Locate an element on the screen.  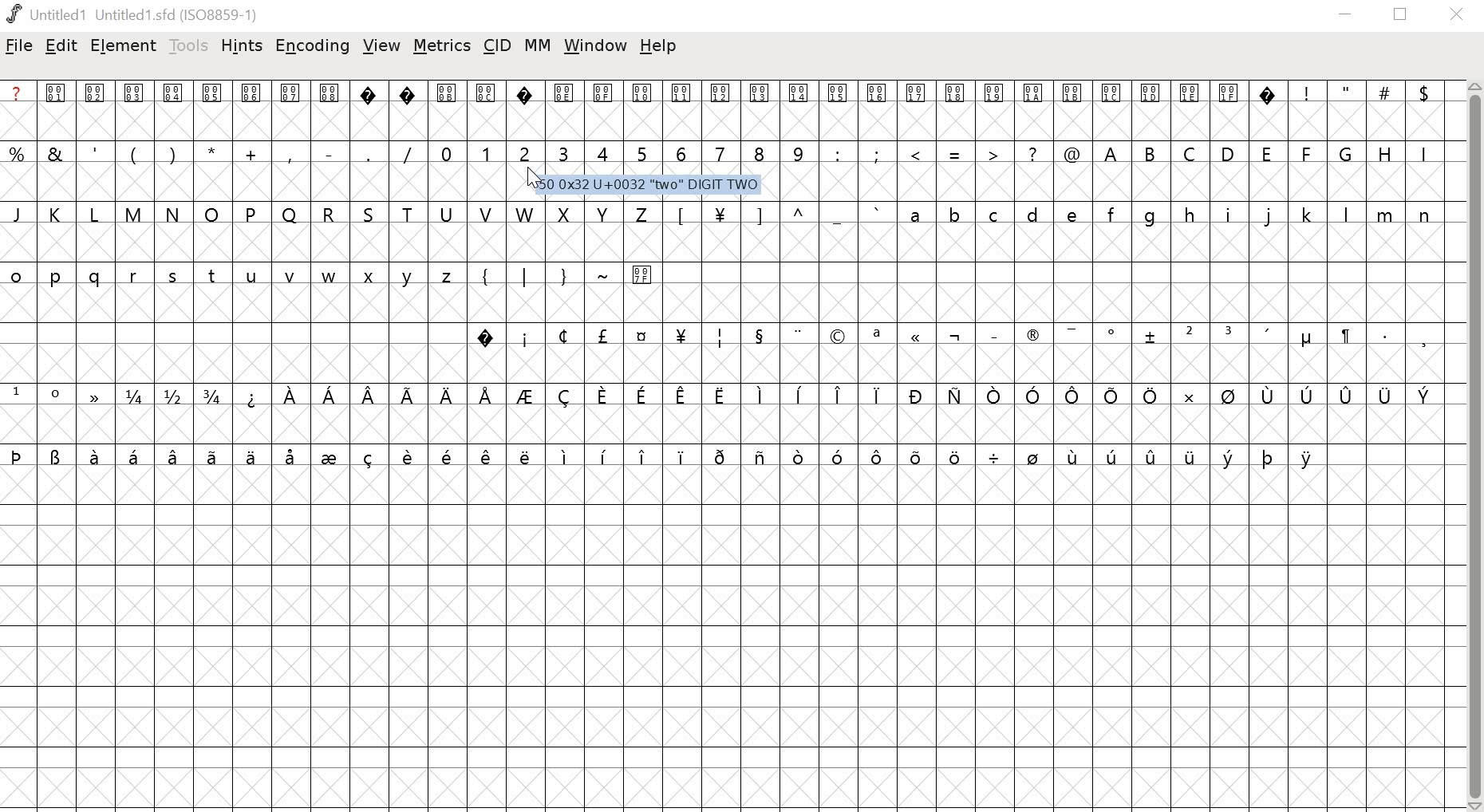
restore down is located at coordinates (1405, 17).